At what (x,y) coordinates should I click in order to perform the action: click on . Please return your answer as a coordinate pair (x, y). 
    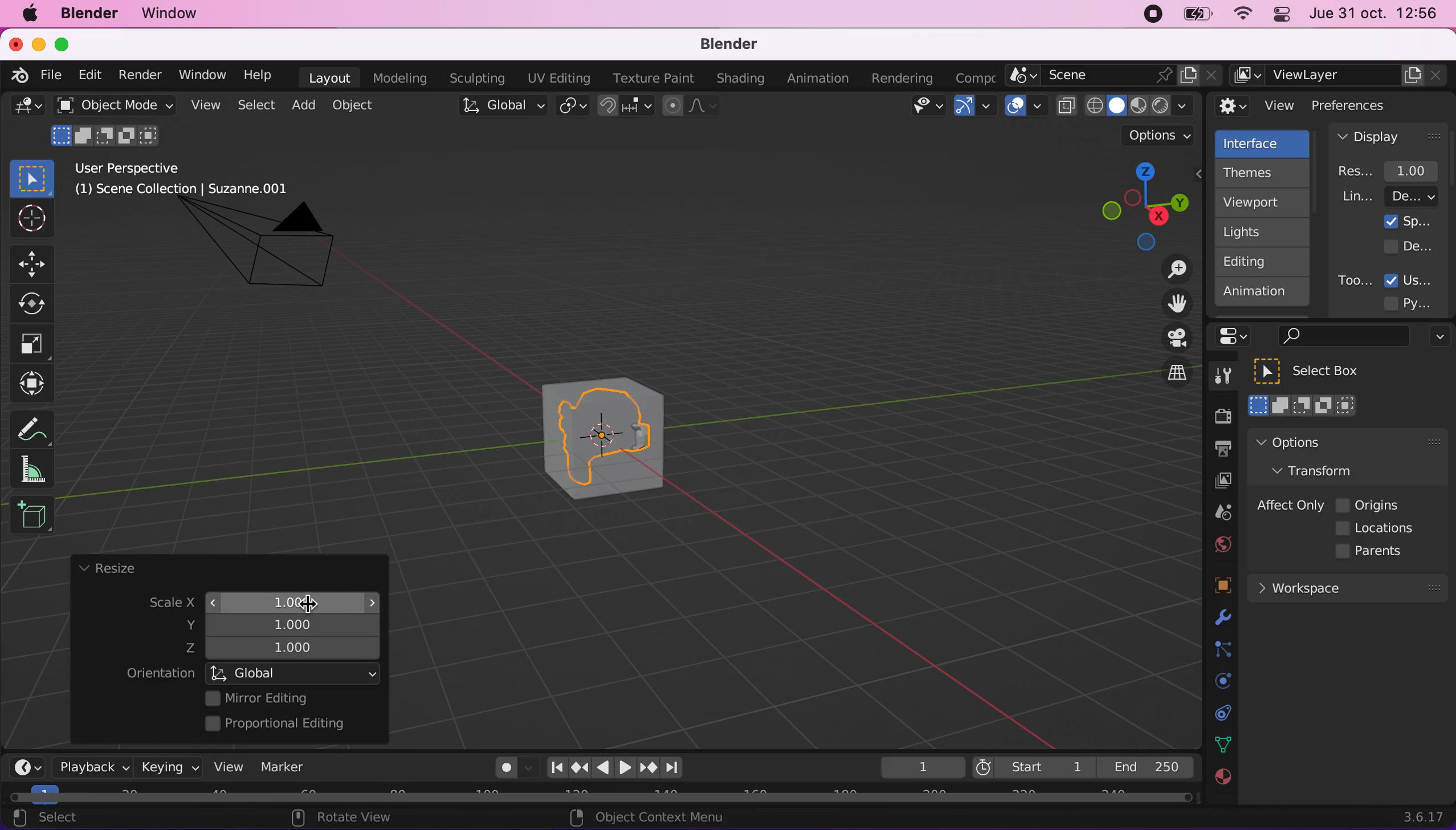
    Looking at the image, I should click on (38, 304).